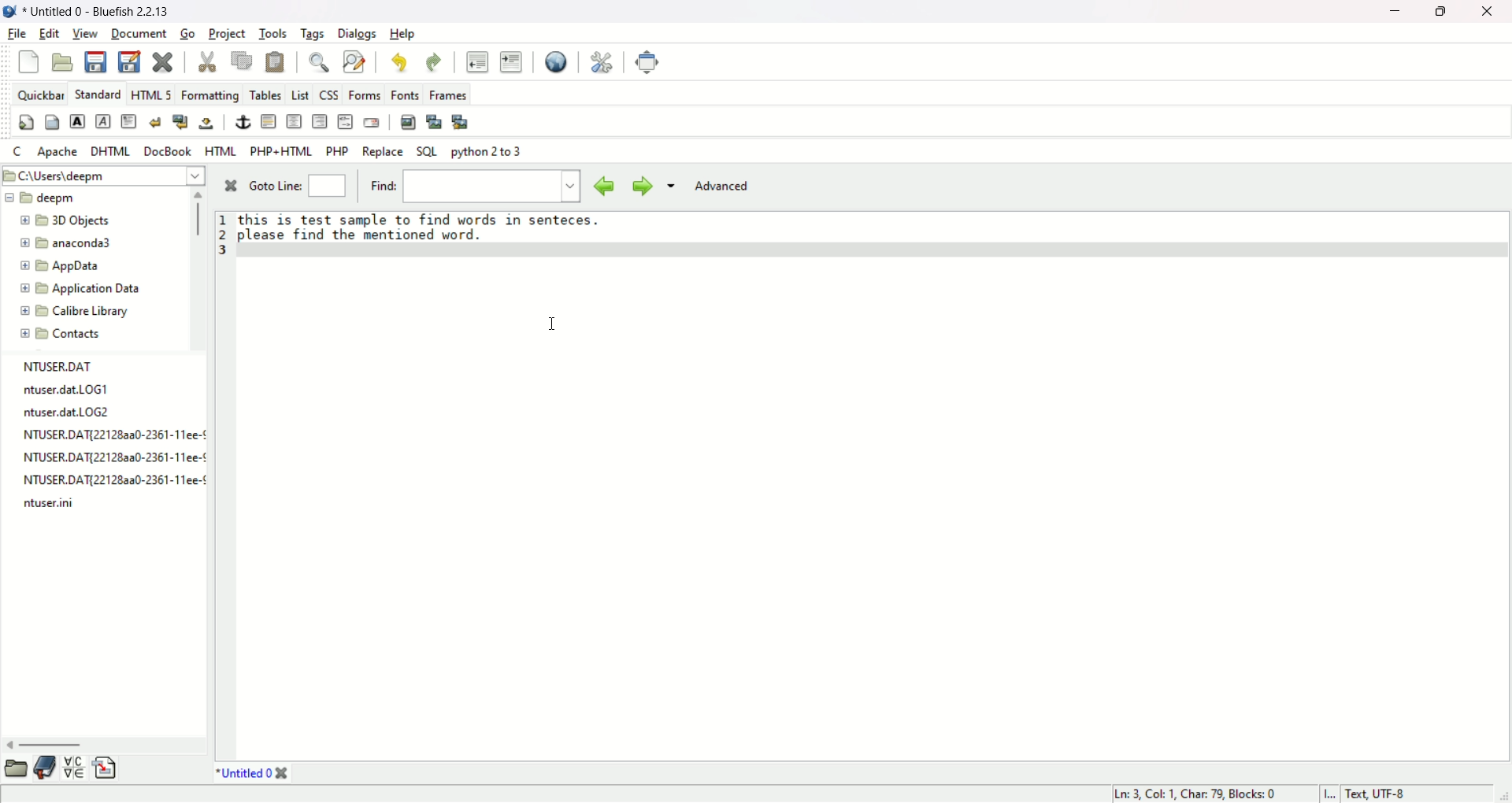 The image size is (1512, 803). What do you see at coordinates (268, 120) in the screenshot?
I see `horizontal rule` at bounding box center [268, 120].